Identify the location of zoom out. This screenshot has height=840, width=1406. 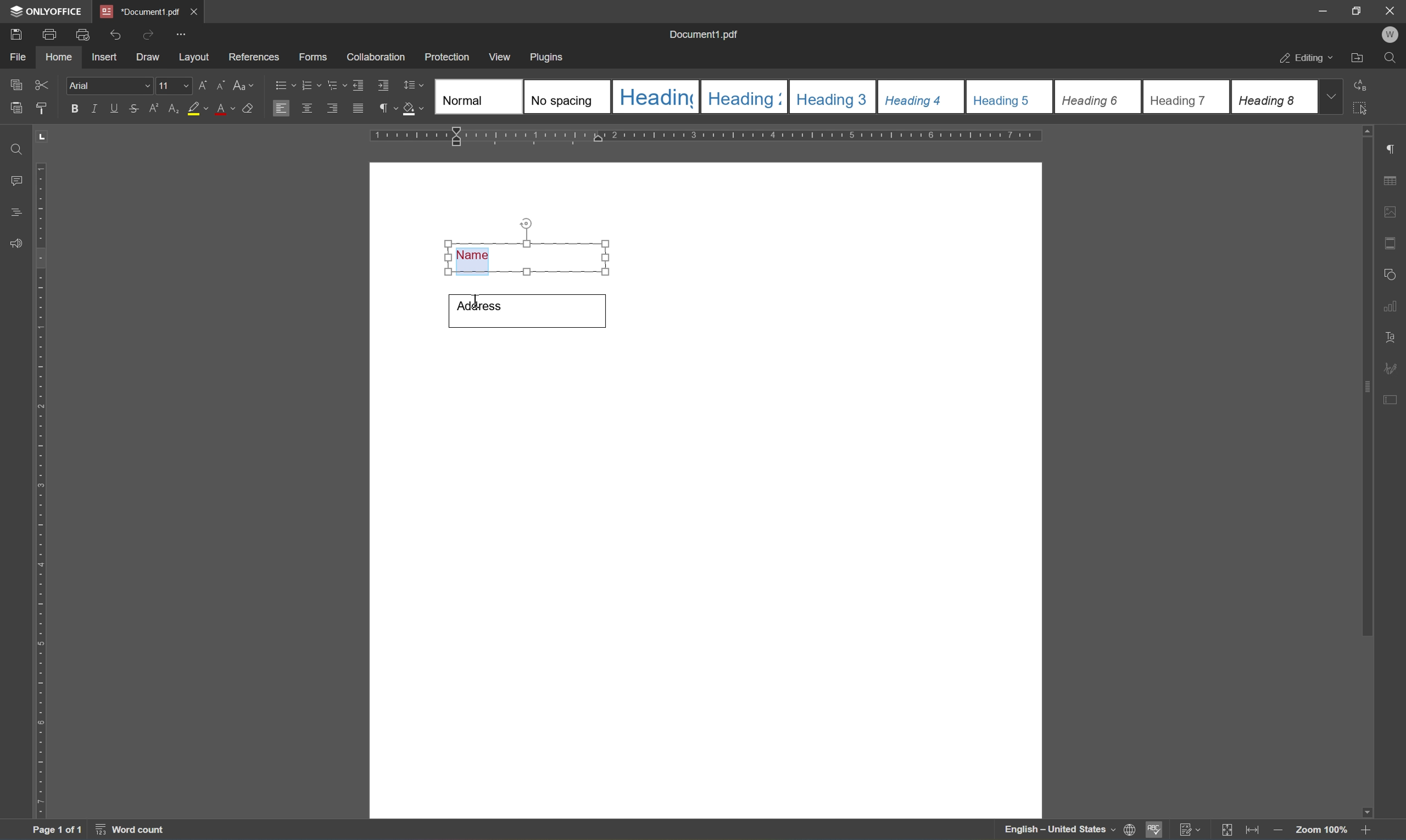
(1369, 830).